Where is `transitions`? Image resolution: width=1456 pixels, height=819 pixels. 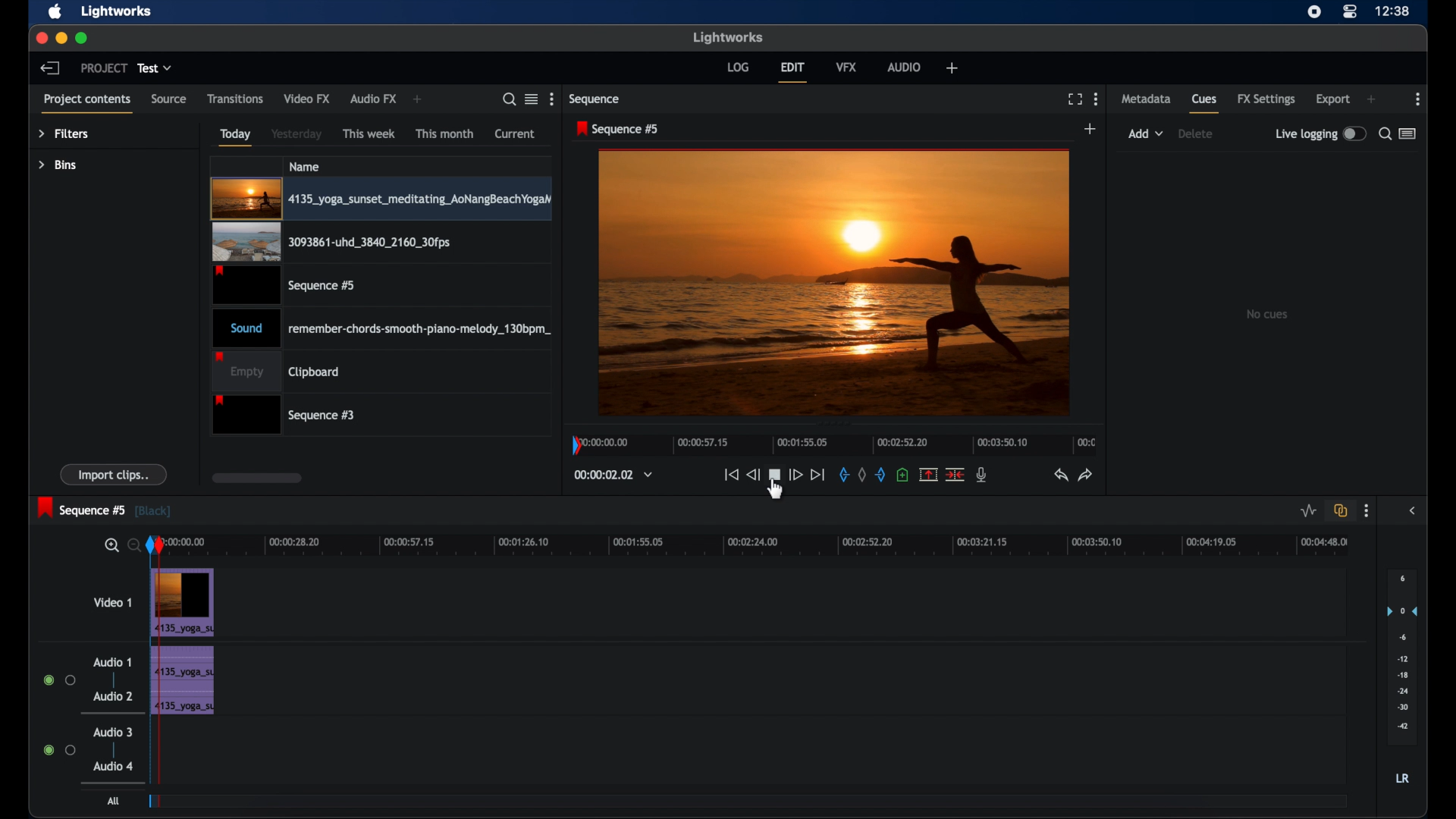 transitions is located at coordinates (235, 99).